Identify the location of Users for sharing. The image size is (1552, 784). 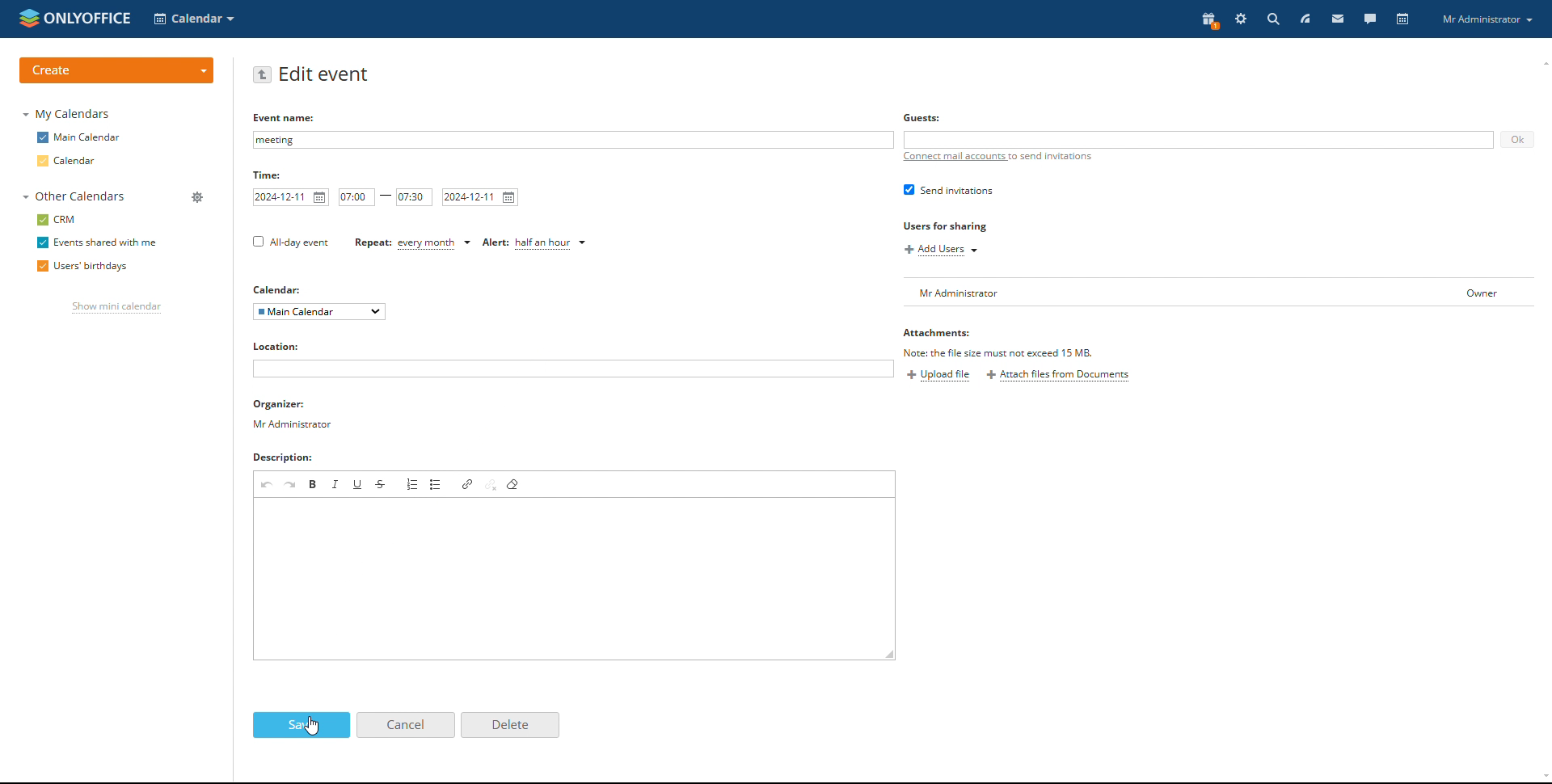
(955, 226).